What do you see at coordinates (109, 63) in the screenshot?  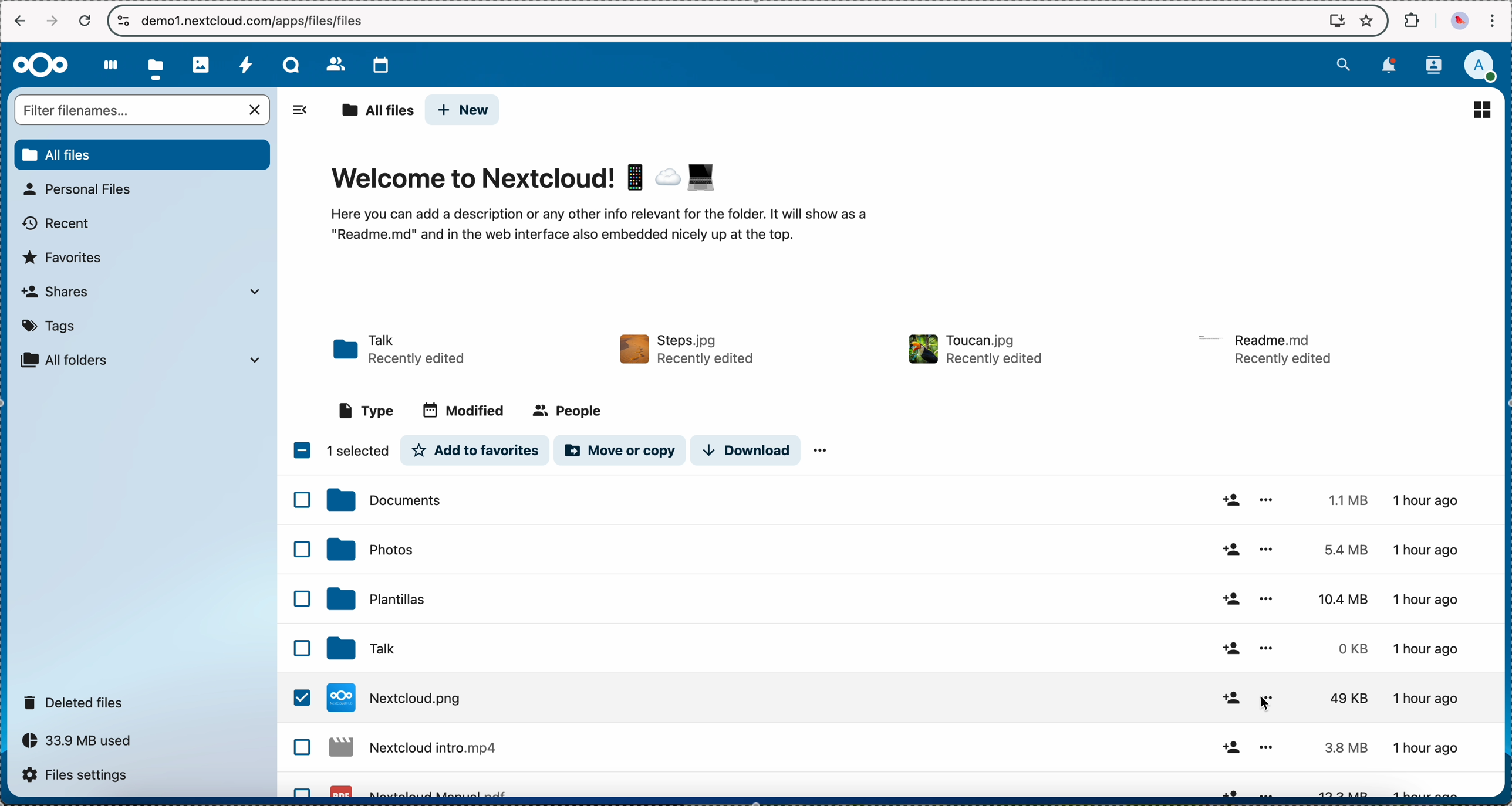 I see `dashboard` at bounding box center [109, 63].